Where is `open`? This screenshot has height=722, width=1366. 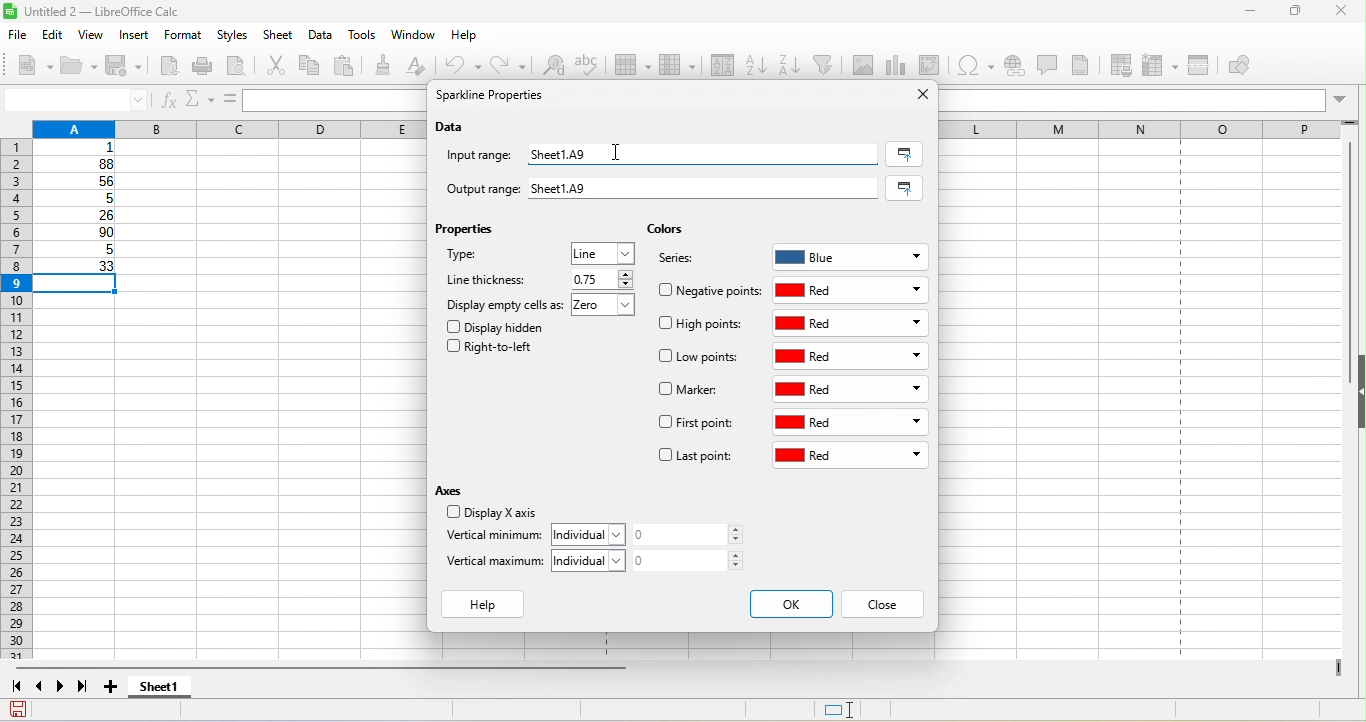 open is located at coordinates (80, 67).